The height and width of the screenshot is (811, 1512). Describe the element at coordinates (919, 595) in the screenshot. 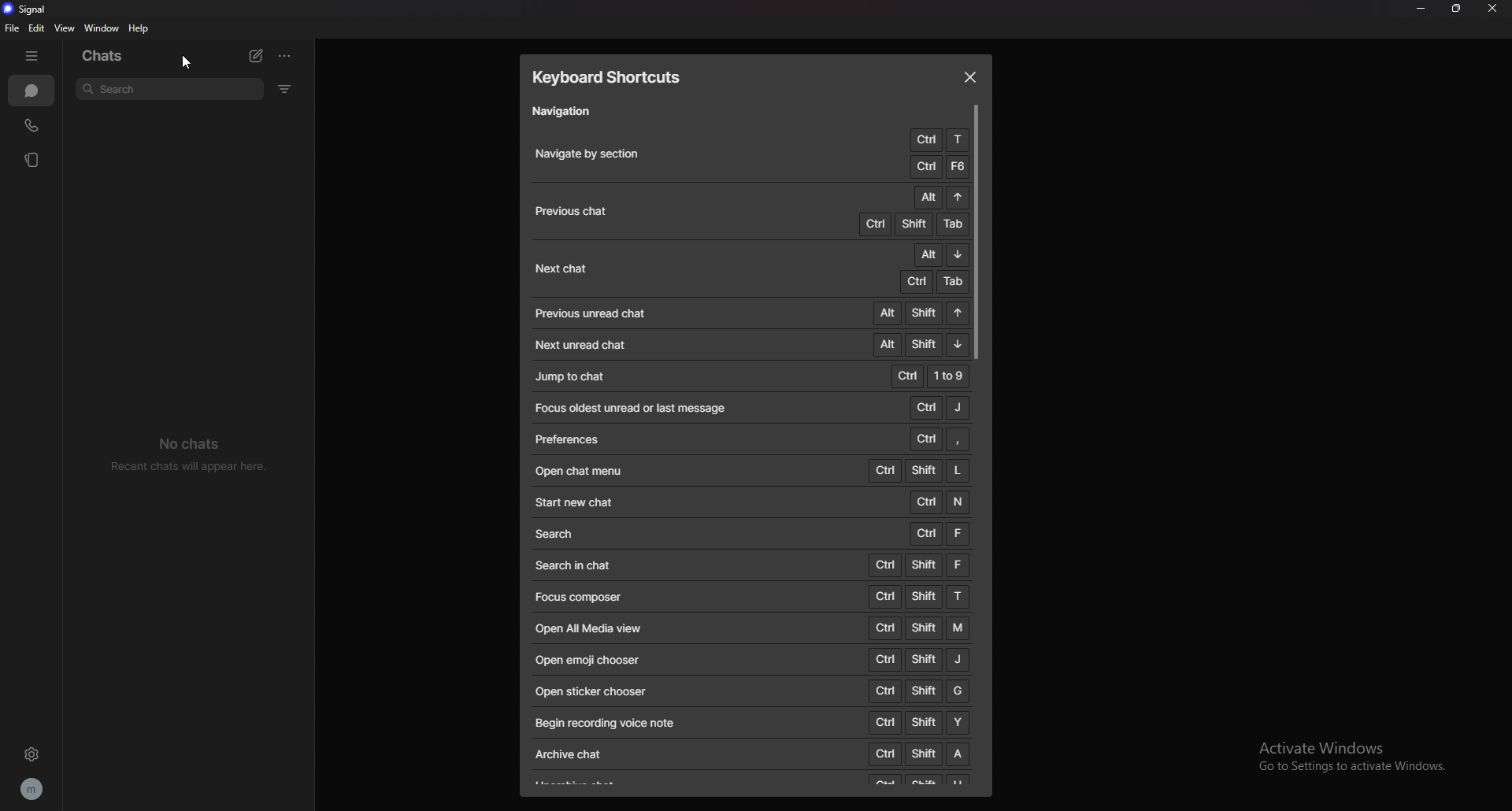

I see `CTRL + SHIFT + T` at that location.